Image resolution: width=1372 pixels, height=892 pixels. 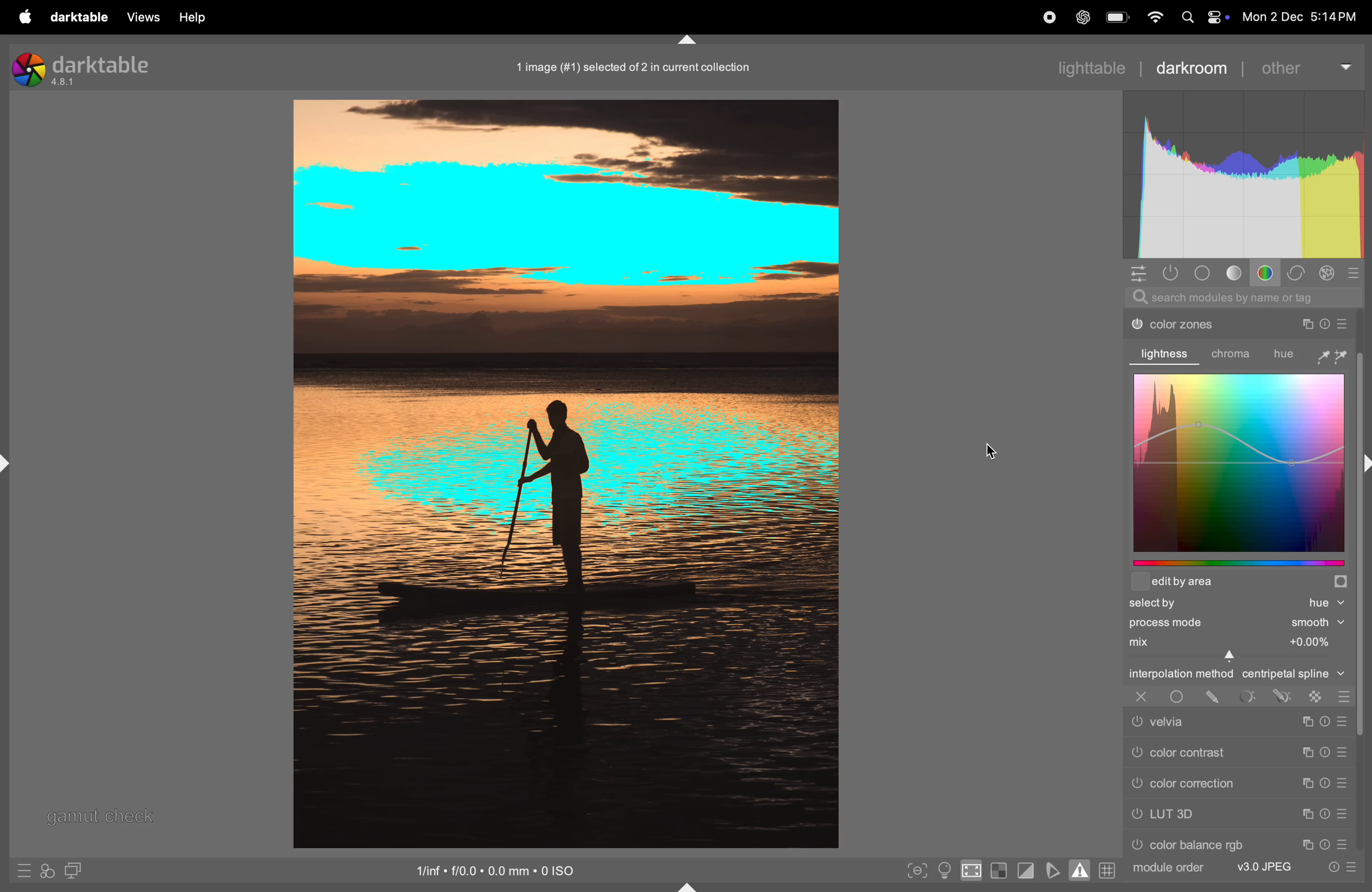 What do you see at coordinates (971, 871) in the screenshot?
I see `toggle high quality indication` at bounding box center [971, 871].